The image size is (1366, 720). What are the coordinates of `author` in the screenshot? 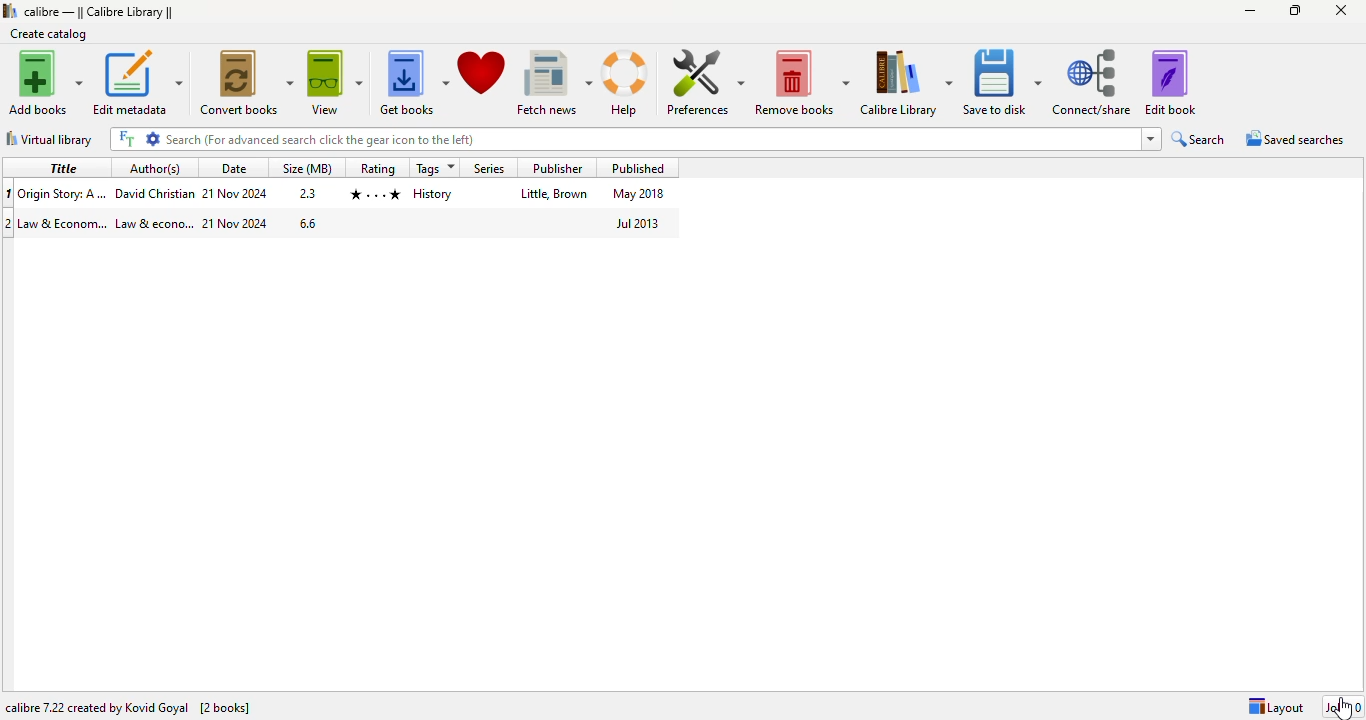 It's located at (154, 224).